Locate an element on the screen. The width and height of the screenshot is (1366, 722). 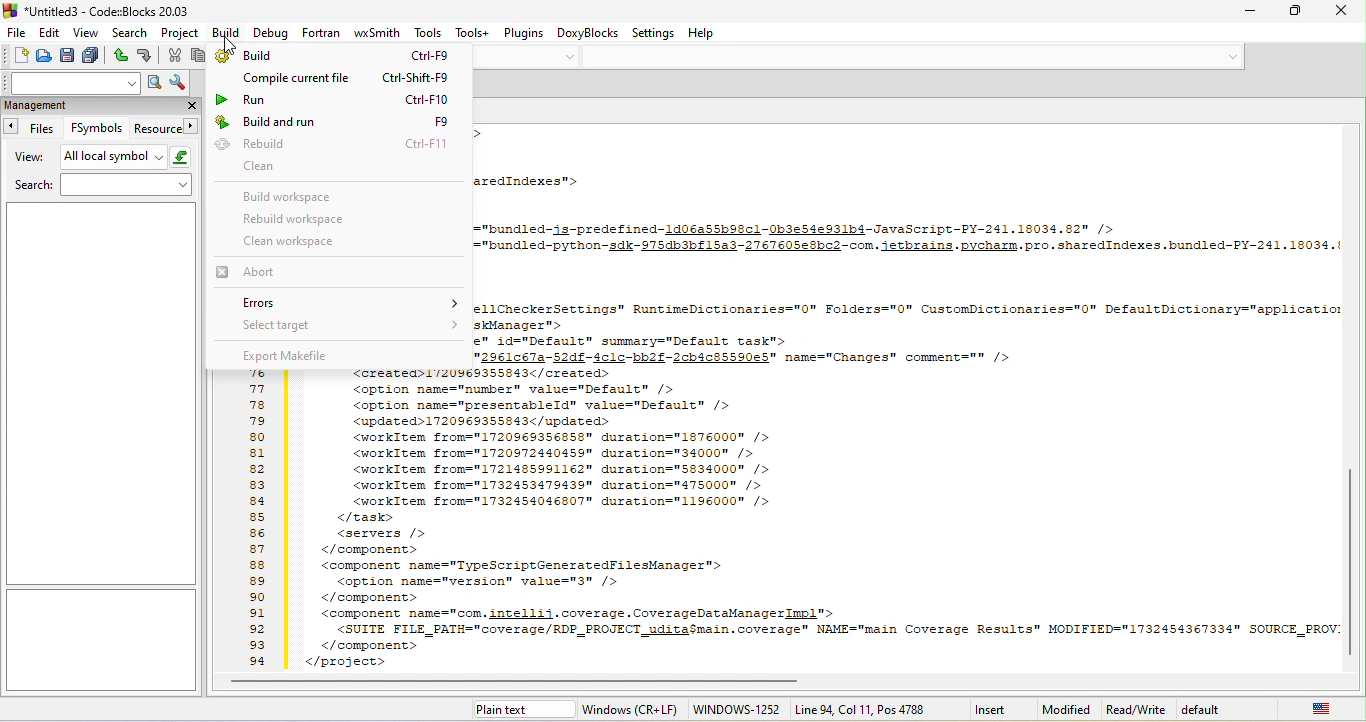
find is located at coordinates (154, 82).